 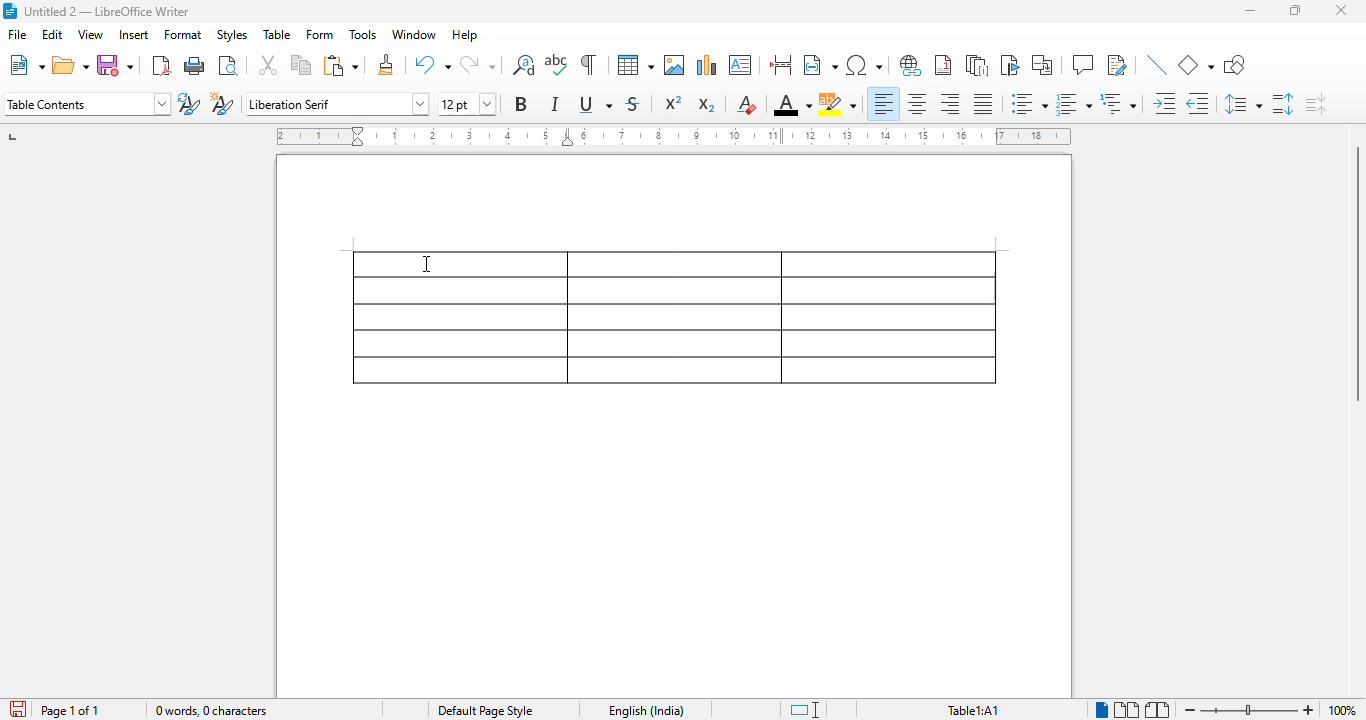 I want to click on word and character count, so click(x=212, y=710).